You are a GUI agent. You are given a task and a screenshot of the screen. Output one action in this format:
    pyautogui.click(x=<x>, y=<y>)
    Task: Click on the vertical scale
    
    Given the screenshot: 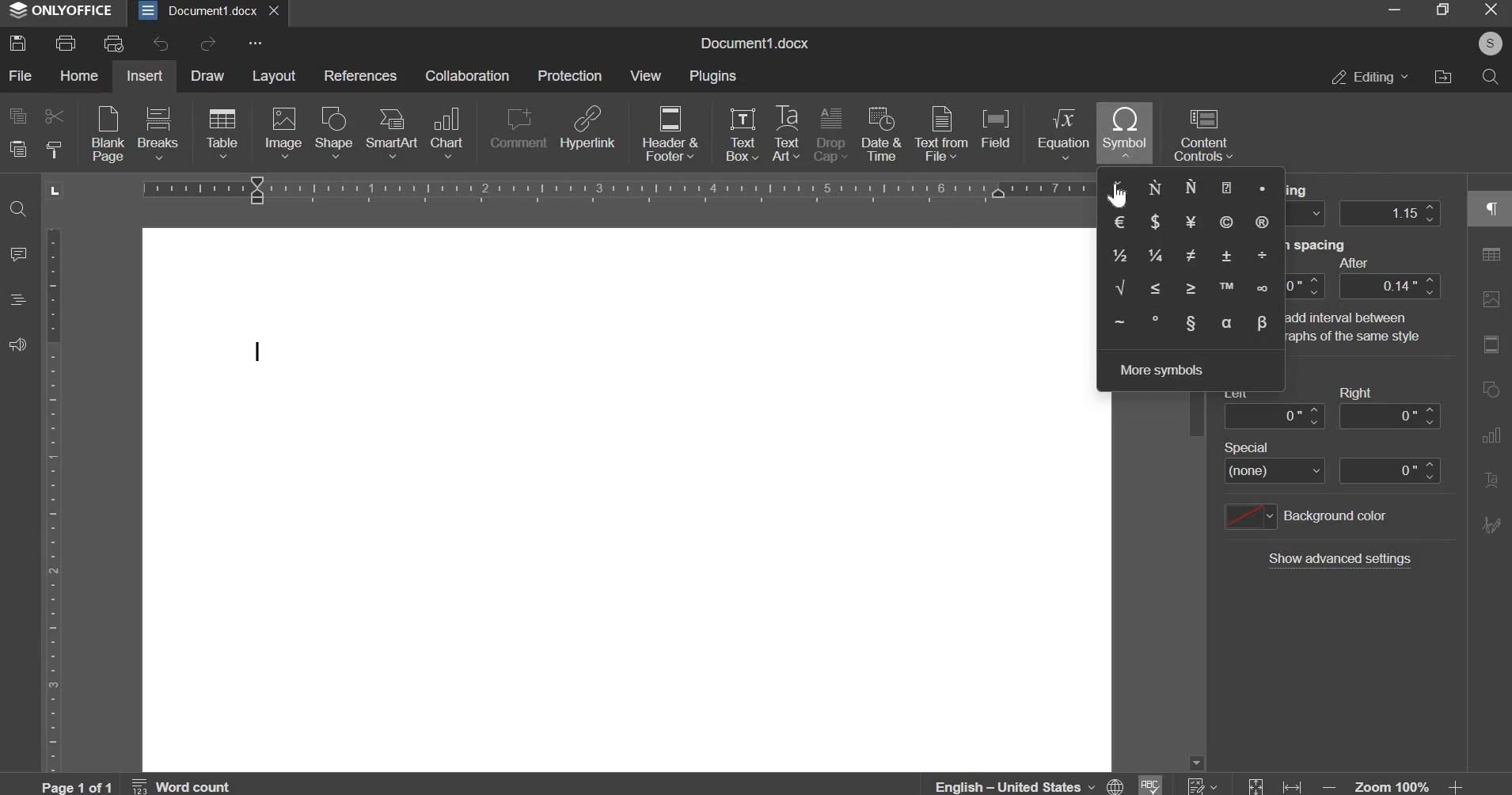 What is the action you would take?
    pyautogui.click(x=53, y=500)
    